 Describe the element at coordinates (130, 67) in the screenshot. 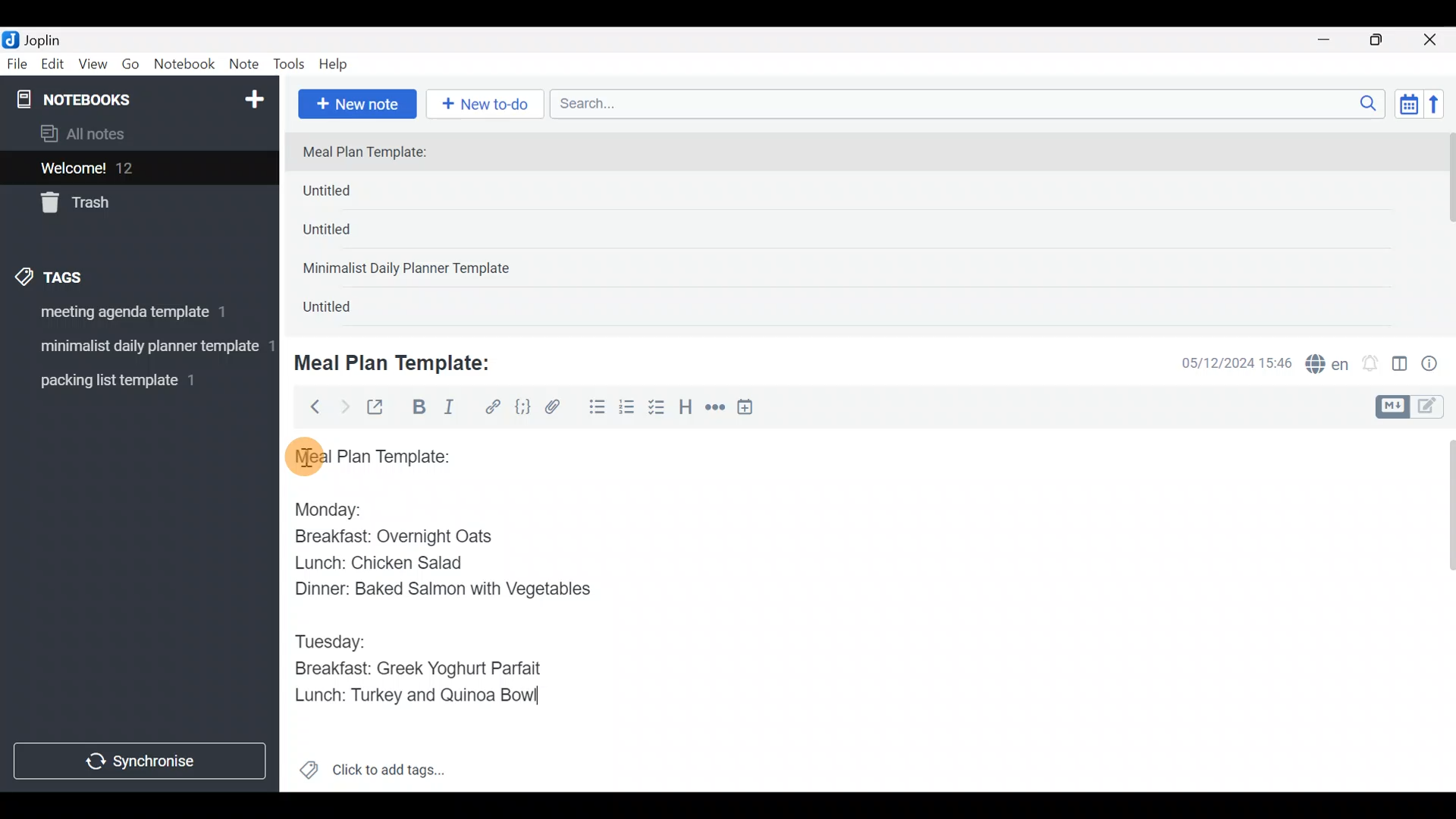

I see `Go` at that location.